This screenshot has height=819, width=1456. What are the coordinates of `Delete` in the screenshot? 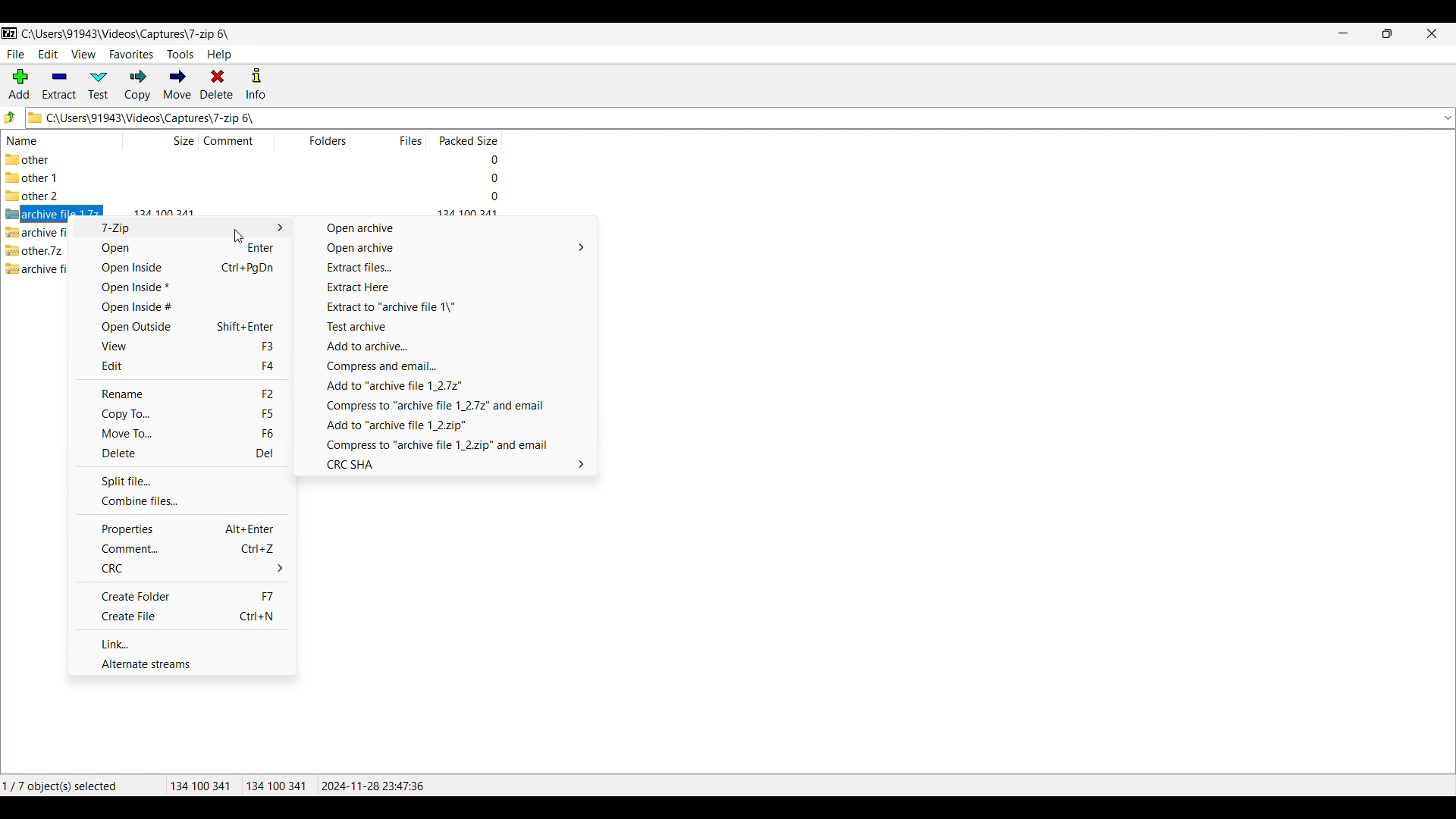 It's located at (217, 83).